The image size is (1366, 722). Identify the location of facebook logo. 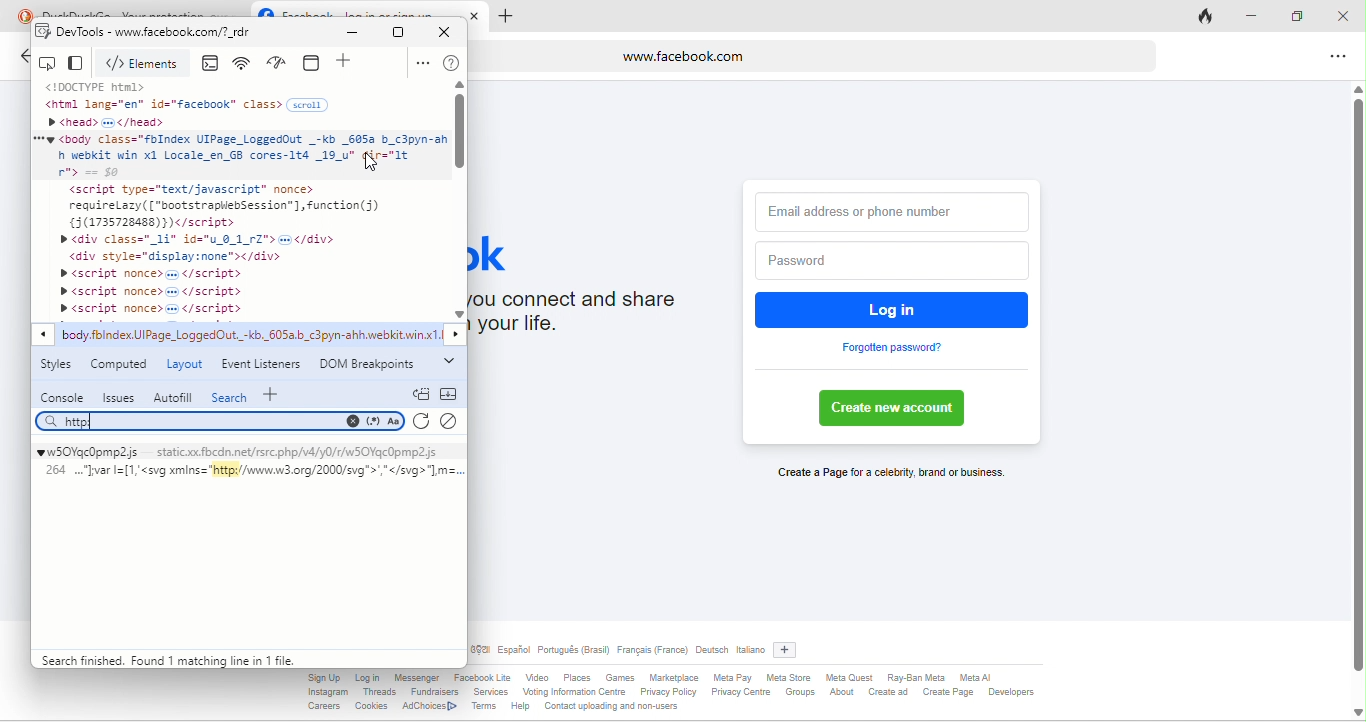
(265, 9).